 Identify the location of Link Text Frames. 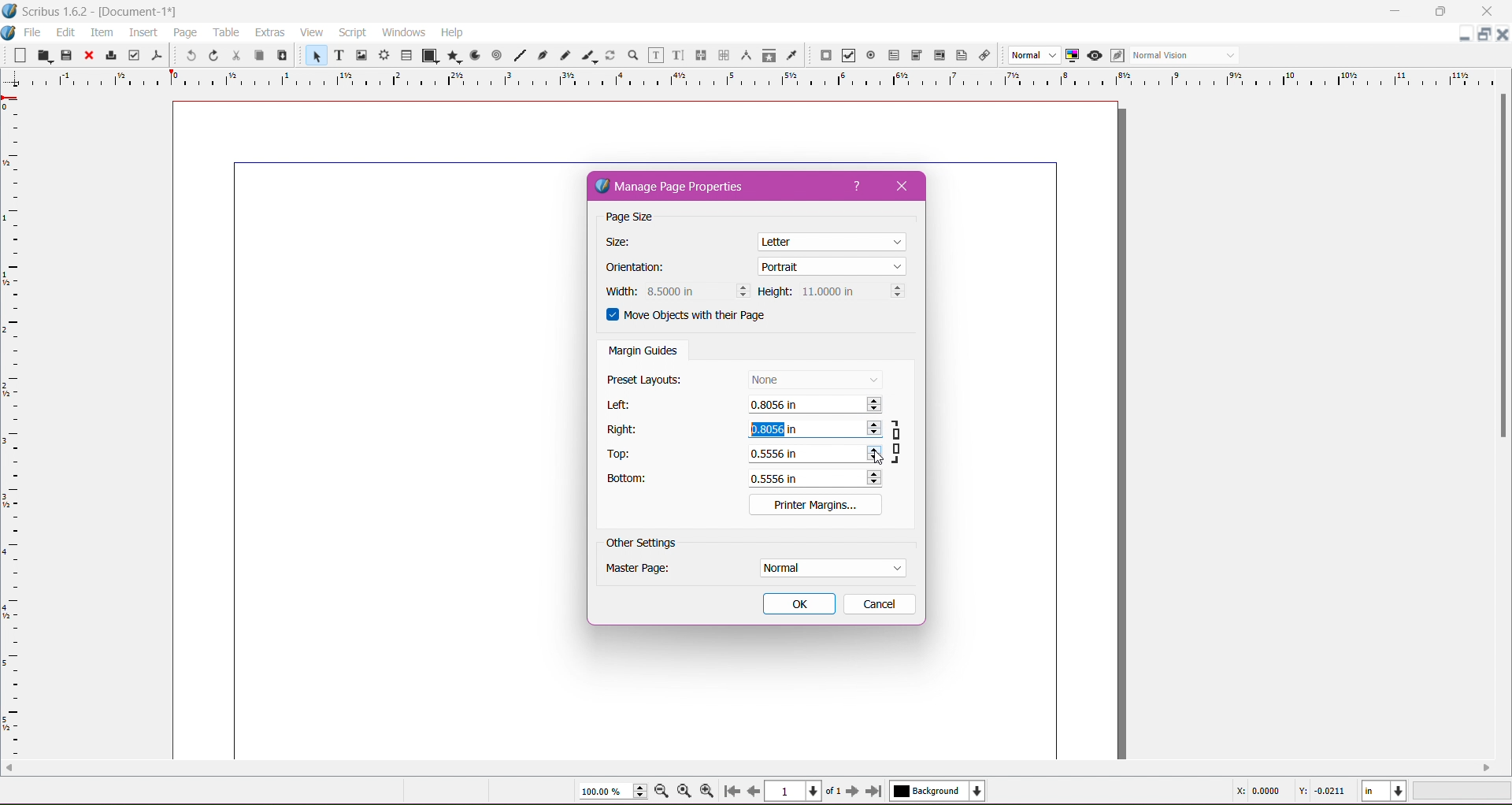
(699, 55).